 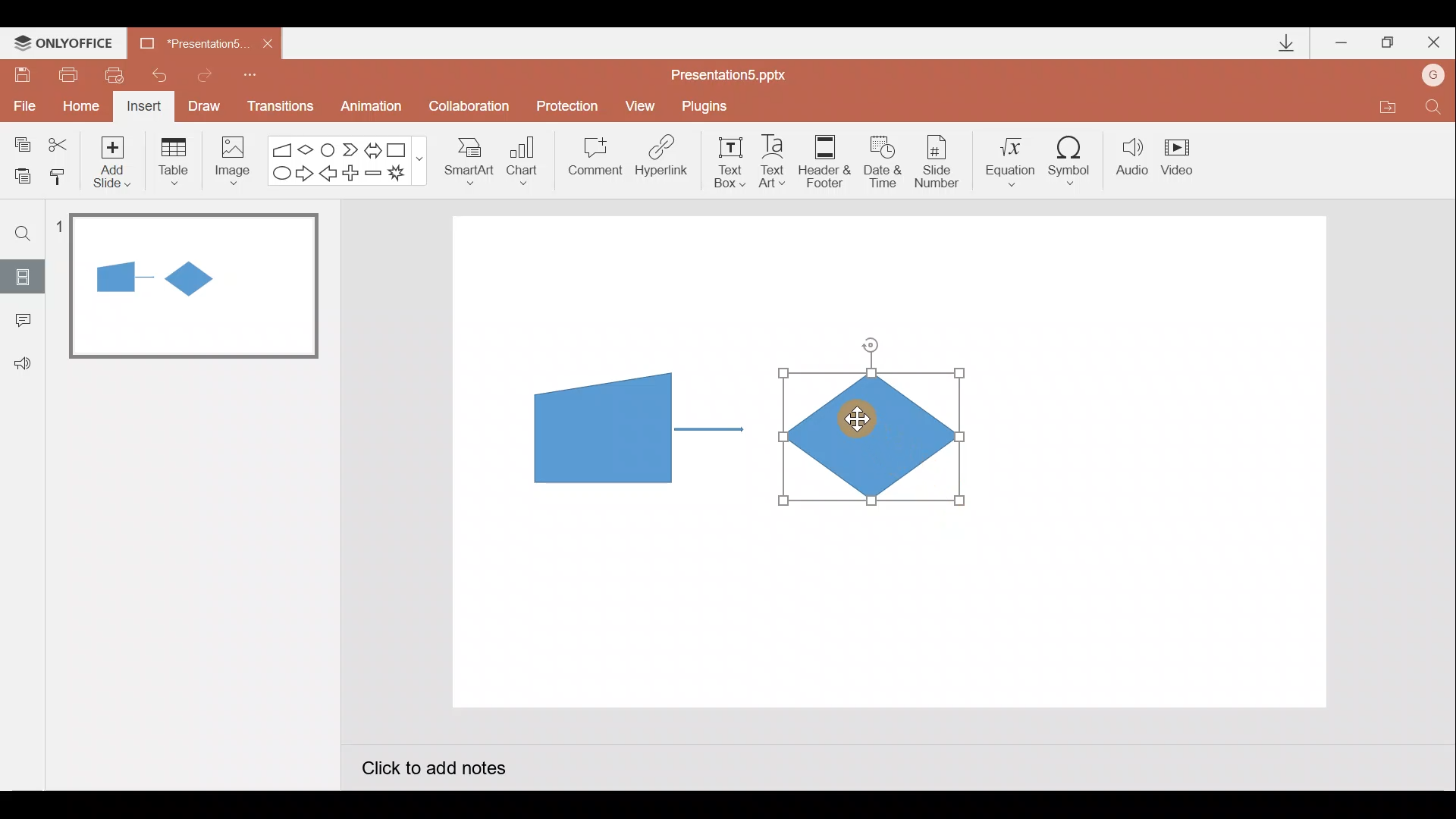 I want to click on Rectangle, so click(x=400, y=149).